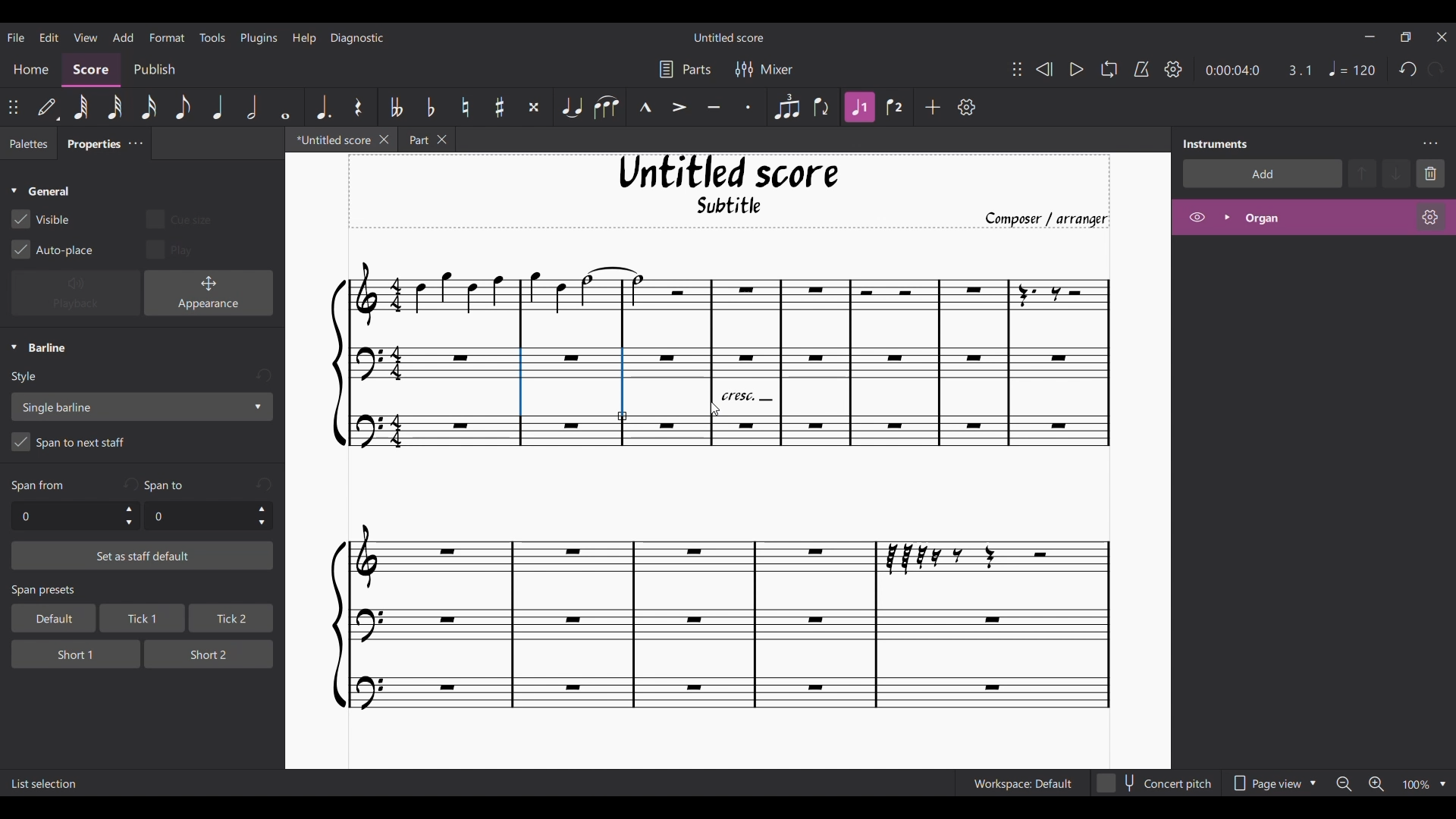  Describe the element at coordinates (1108, 69) in the screenshot. I see `Looping playback` at that location.